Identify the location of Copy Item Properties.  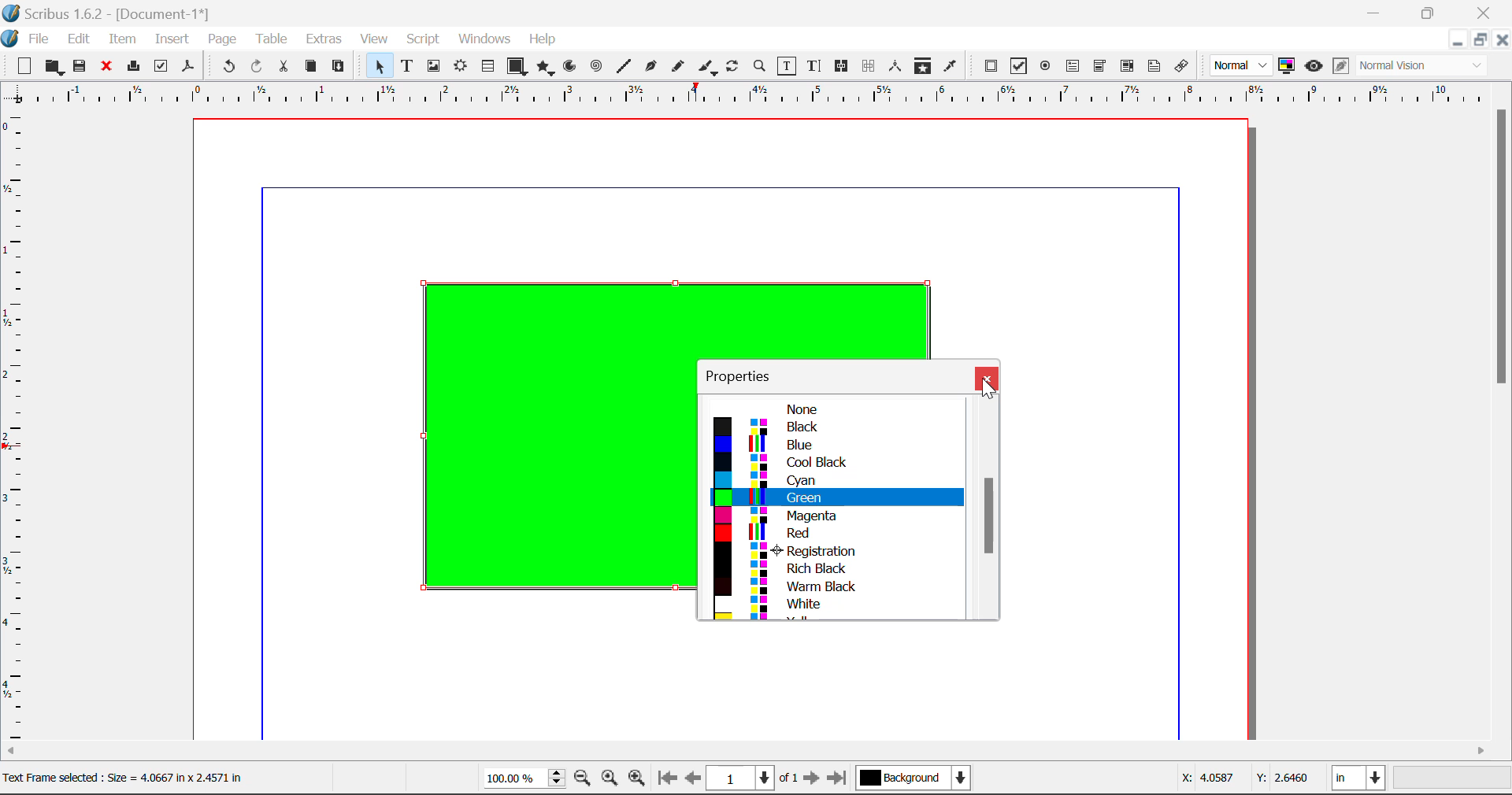
(922, 66).